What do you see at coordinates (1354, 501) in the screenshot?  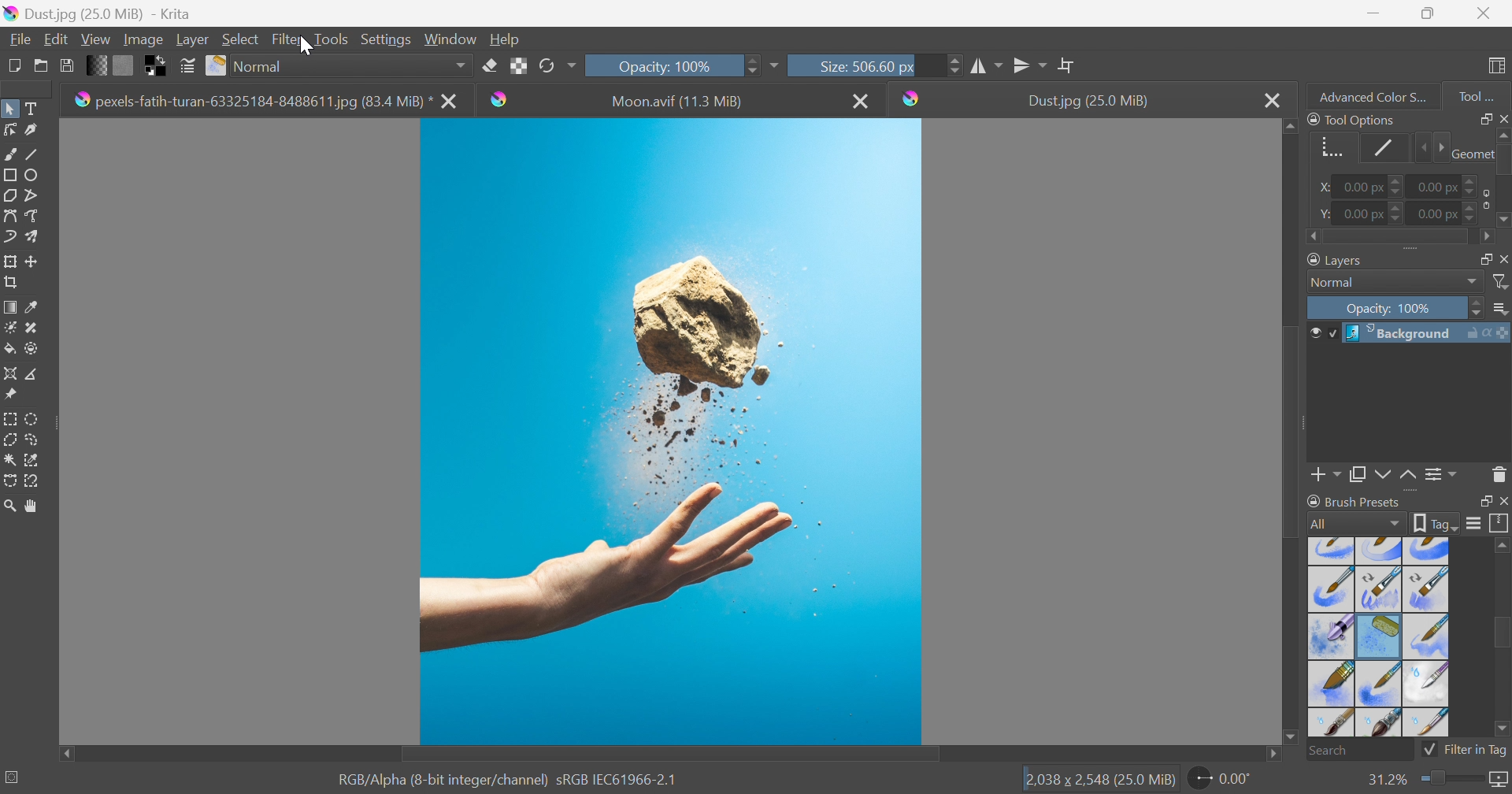 I see `Brush Presets` at bounding box center [1354, 501].